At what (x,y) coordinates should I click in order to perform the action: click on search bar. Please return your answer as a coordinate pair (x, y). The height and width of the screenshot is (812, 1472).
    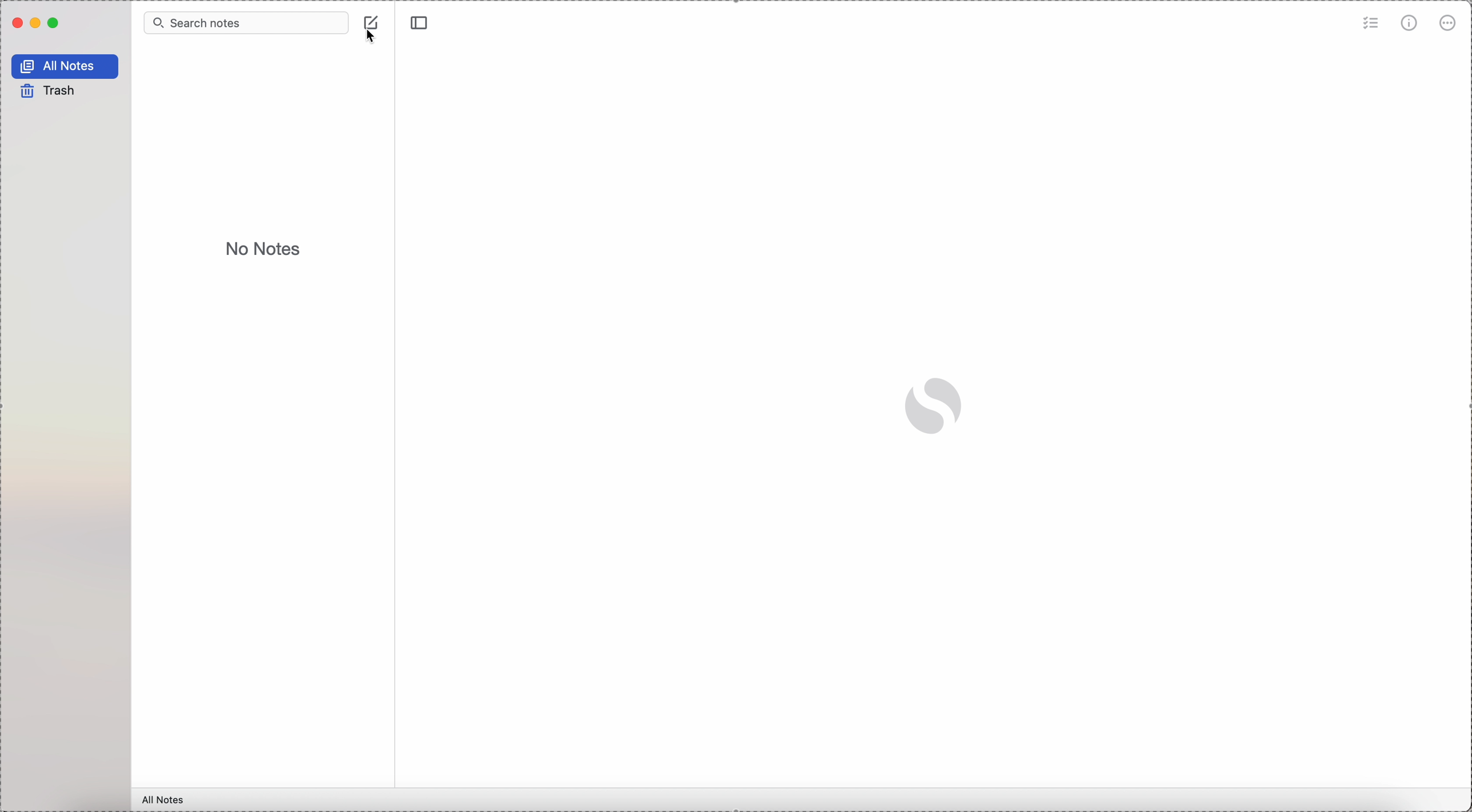
    Looking at the image, I should click on (245, 23).